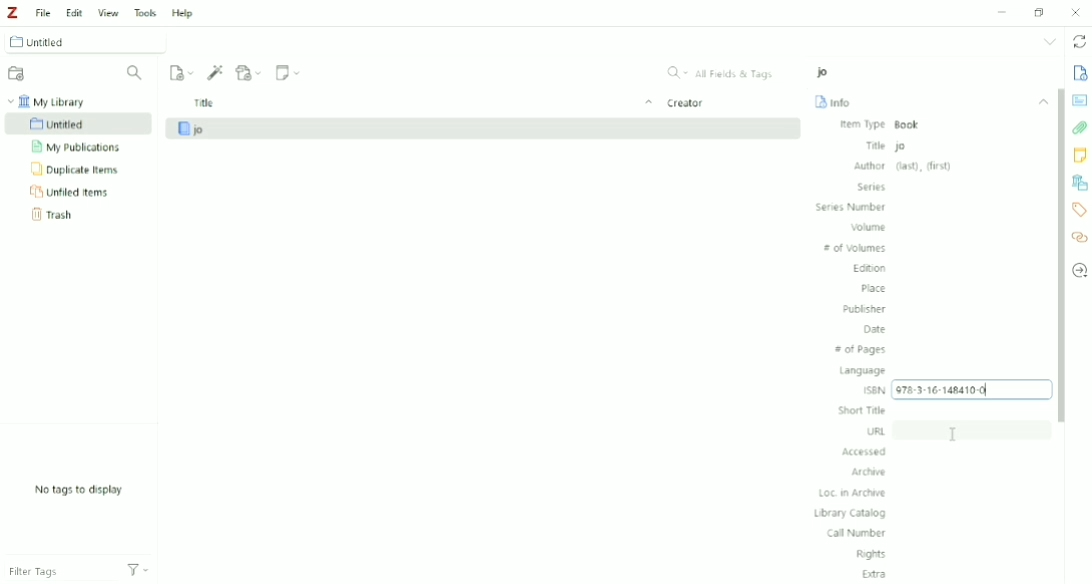  I want to click on All Fields & Tags, so click(726, 73).